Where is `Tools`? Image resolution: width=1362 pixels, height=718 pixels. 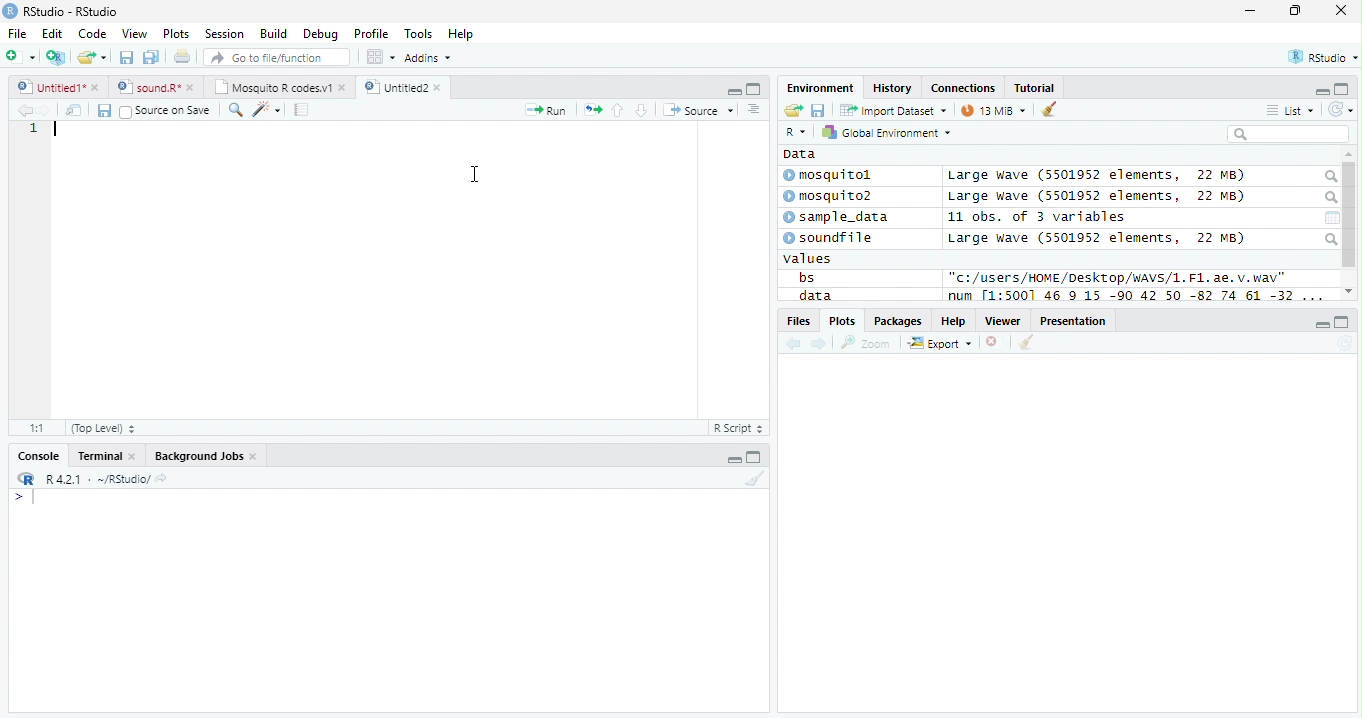 Tools is located at coordinates (418, 35).